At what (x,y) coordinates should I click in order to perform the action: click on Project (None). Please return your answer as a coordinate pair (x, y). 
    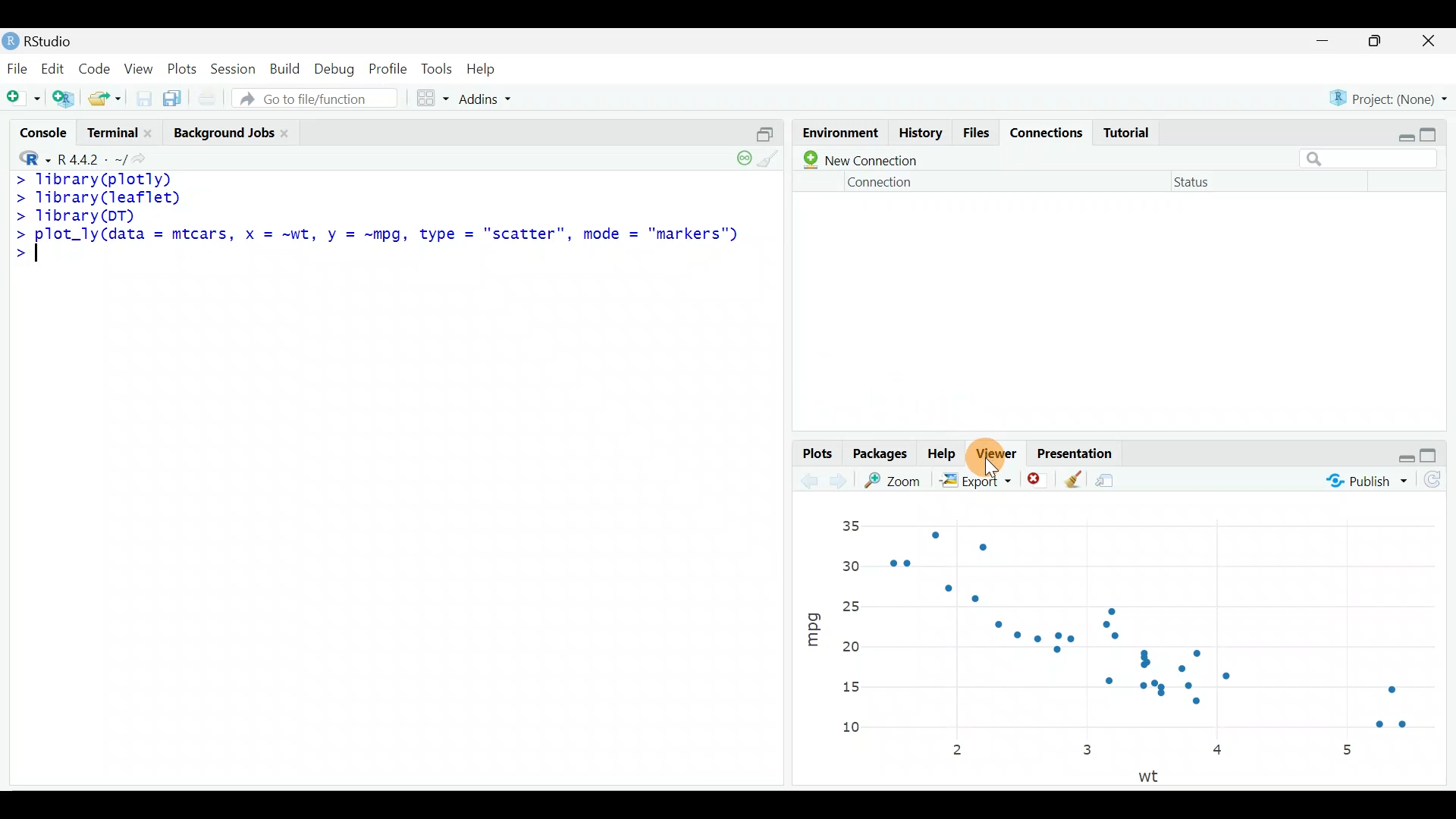
    Looking at the image, I should click on (1389, 93).